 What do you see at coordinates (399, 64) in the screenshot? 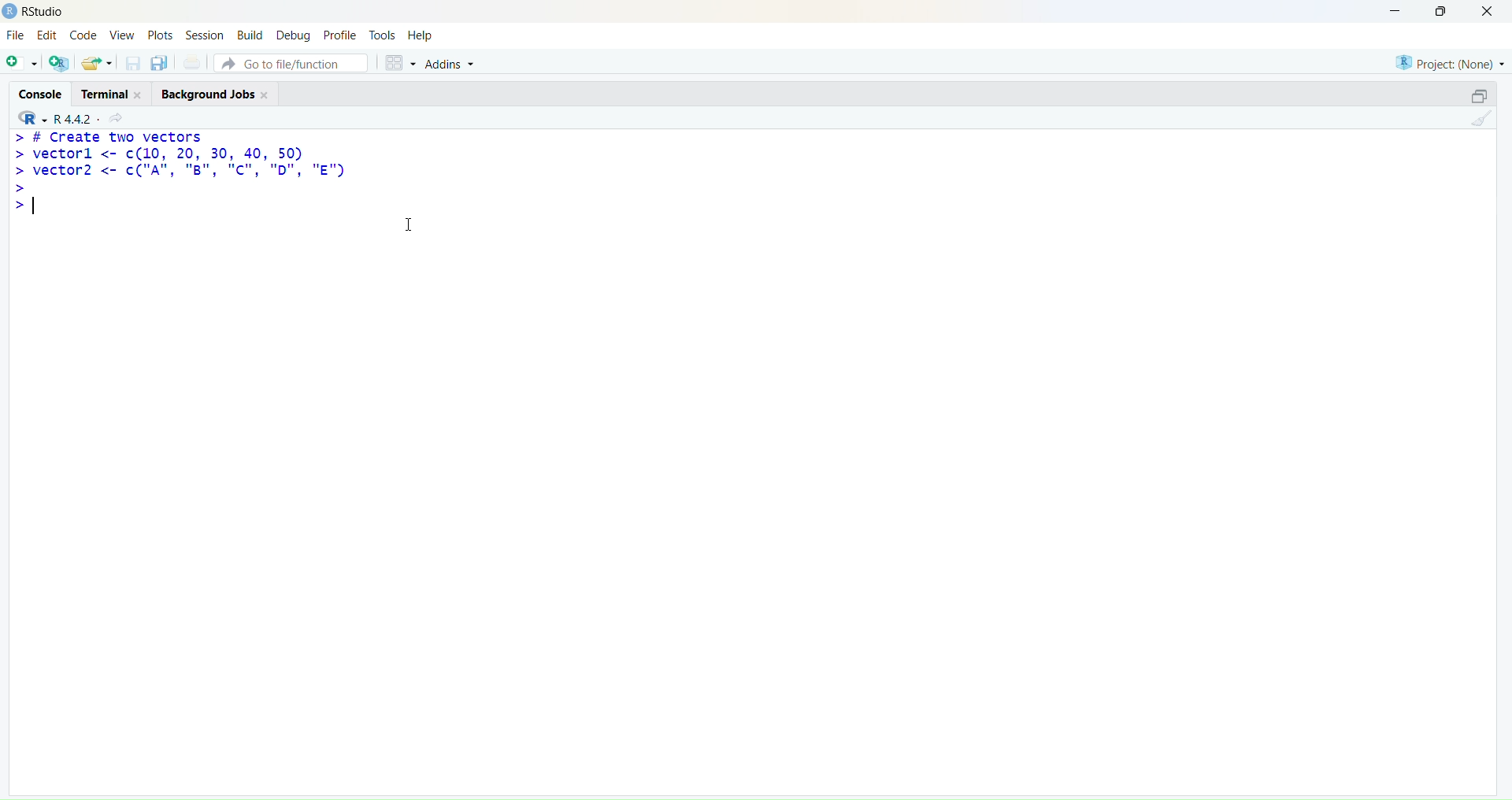
I see `workspace panes` at bounding box center [399, 64].